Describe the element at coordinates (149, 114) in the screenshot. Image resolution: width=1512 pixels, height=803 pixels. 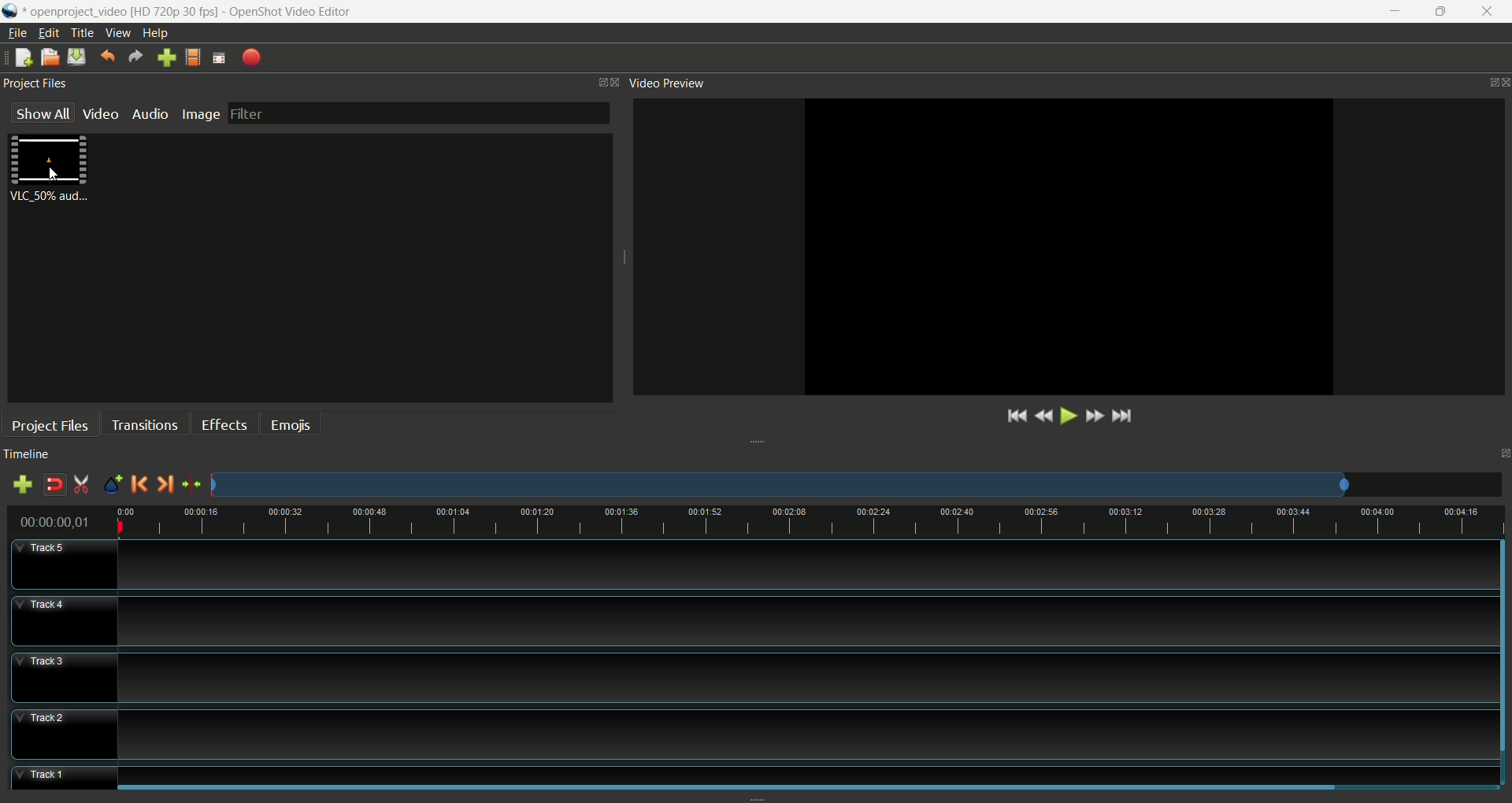
I see `audio` at that location.